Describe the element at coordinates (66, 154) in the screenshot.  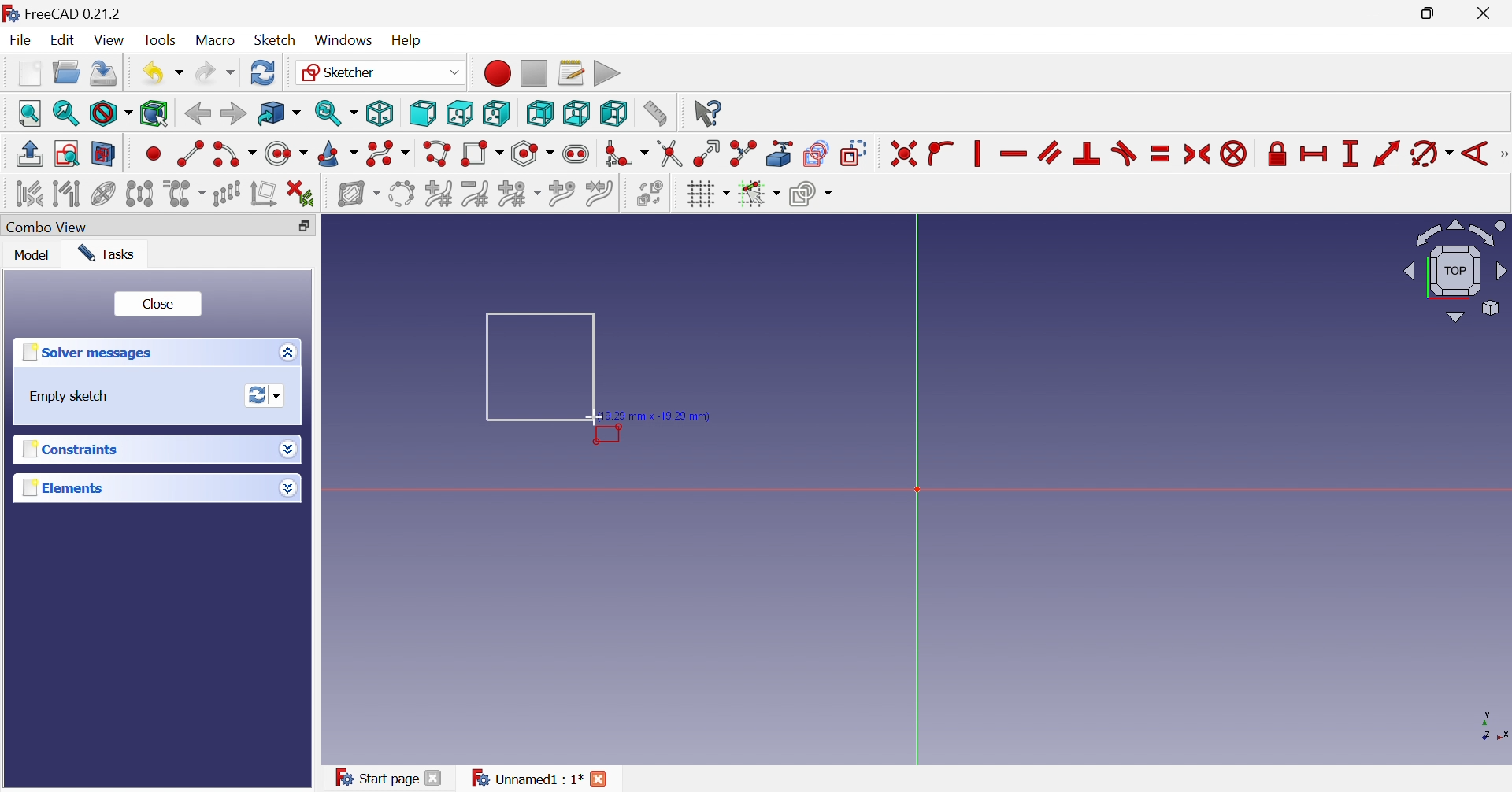
I see `View sketch` at that location.